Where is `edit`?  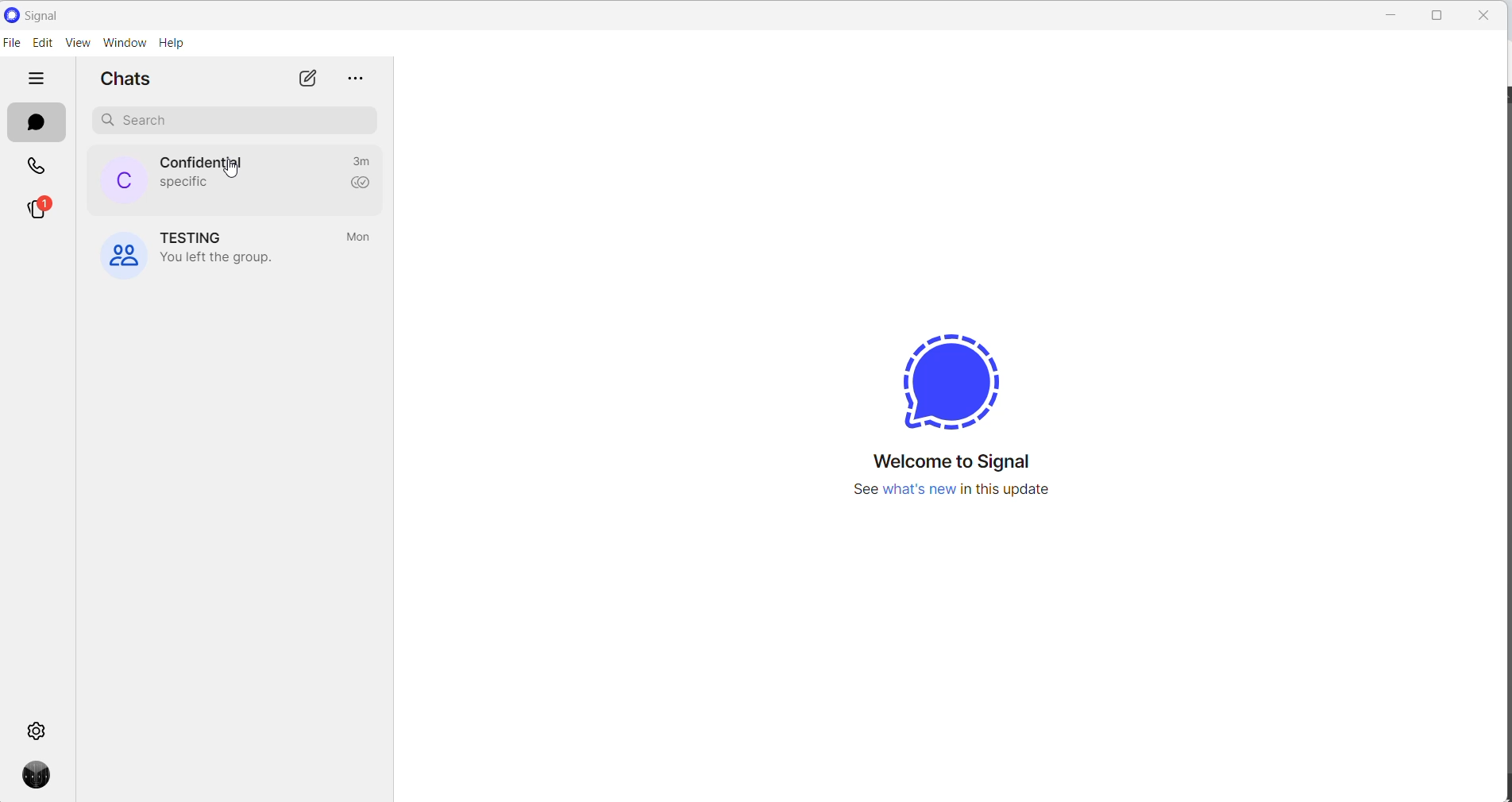
edit is located at coordinates (43, 44).